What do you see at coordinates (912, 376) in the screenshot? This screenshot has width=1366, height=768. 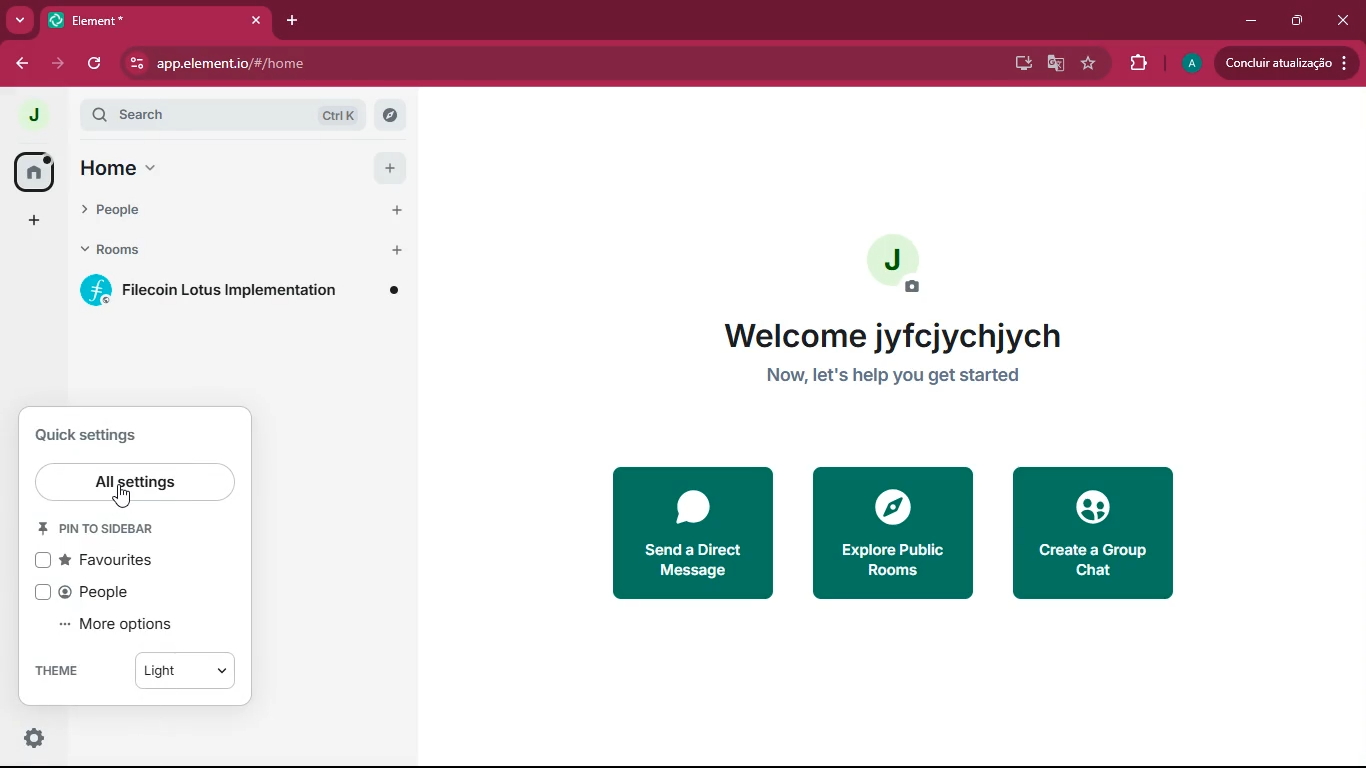 I see `description` at bounding box center [912, 376].